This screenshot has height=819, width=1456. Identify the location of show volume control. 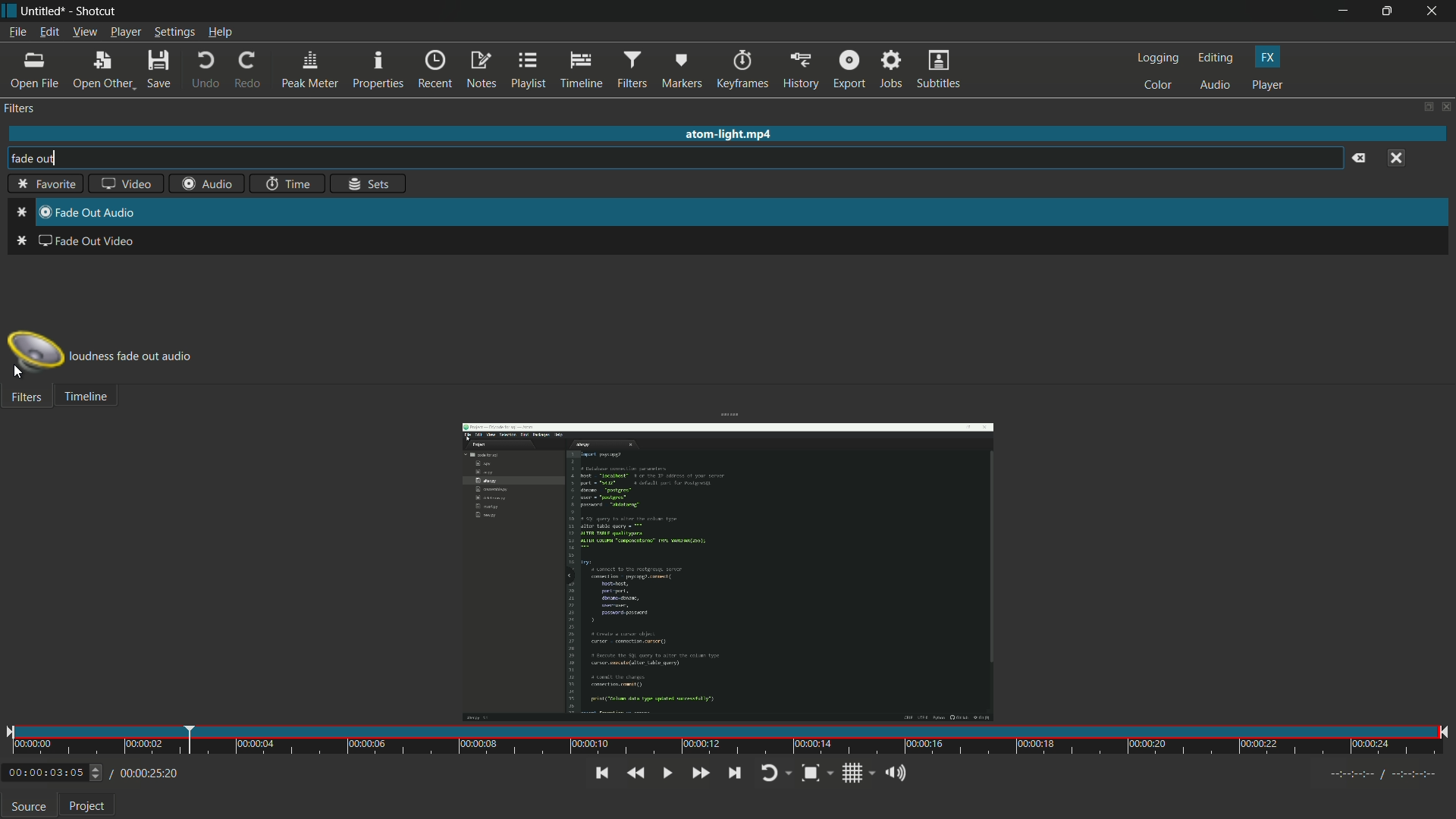
(894, 774).